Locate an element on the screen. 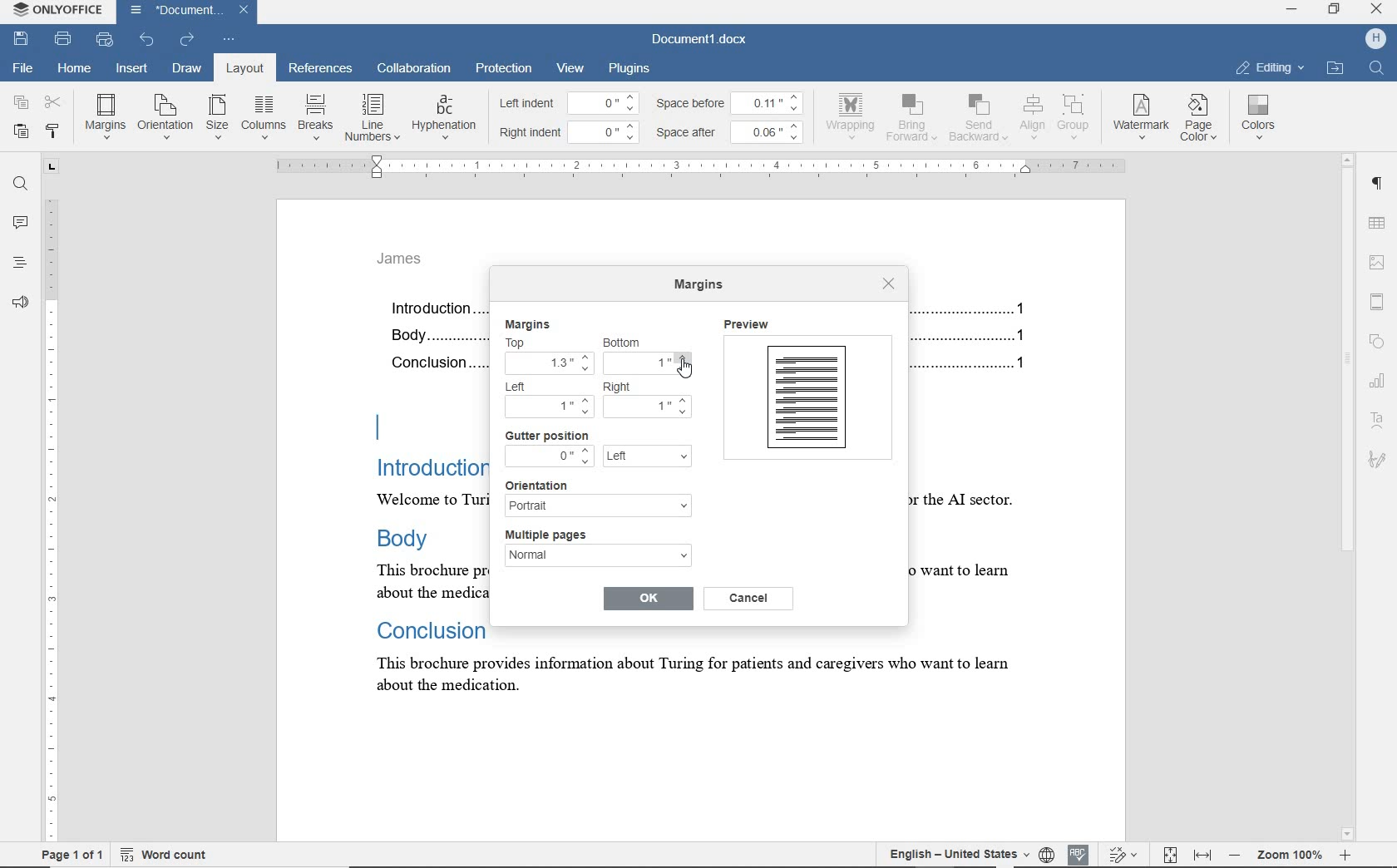 The width and height of the screenshot is (1397, 868). text art is located at coordinates (1377, 423).